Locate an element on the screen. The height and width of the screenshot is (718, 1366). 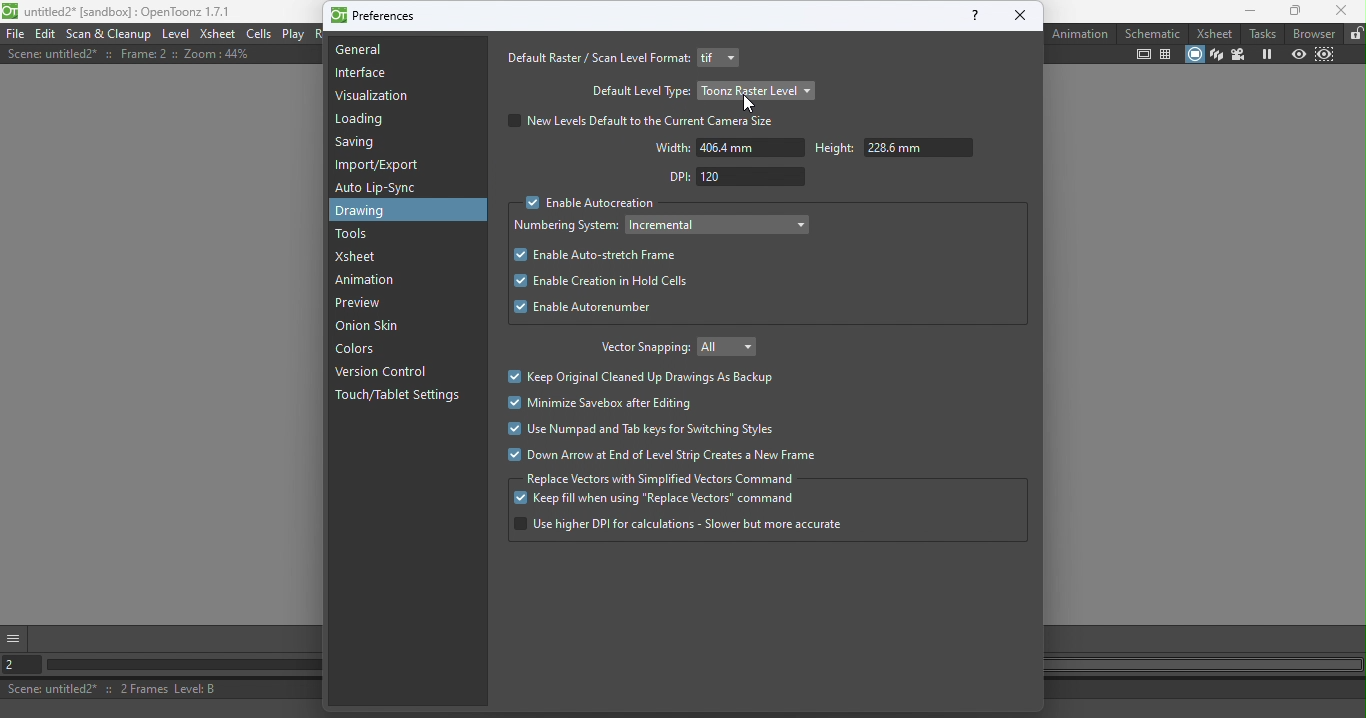
Play is located at coordinates (293, 34).